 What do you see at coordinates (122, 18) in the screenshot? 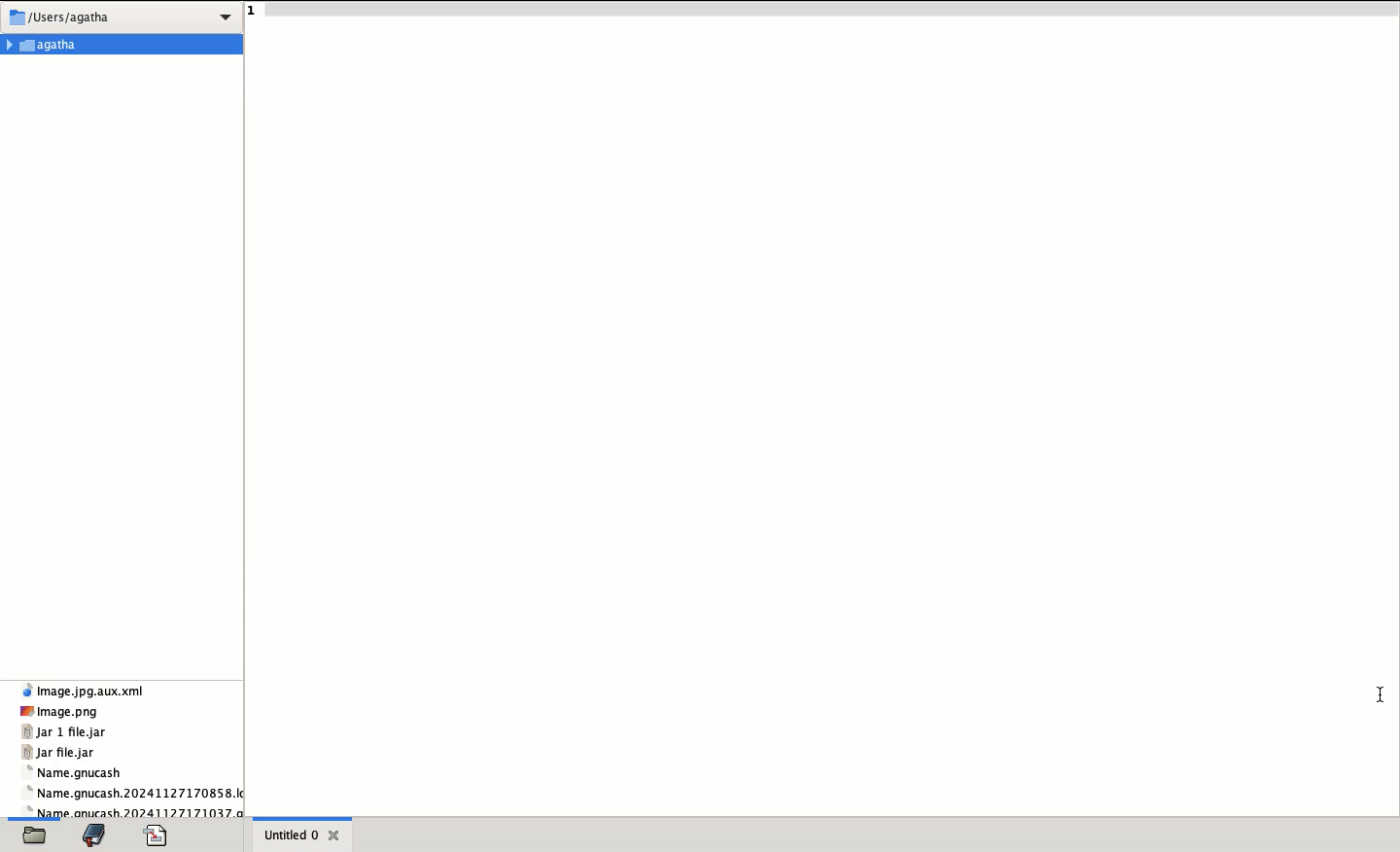
I see `/users/Agatha` at bounding box center [122, 18].